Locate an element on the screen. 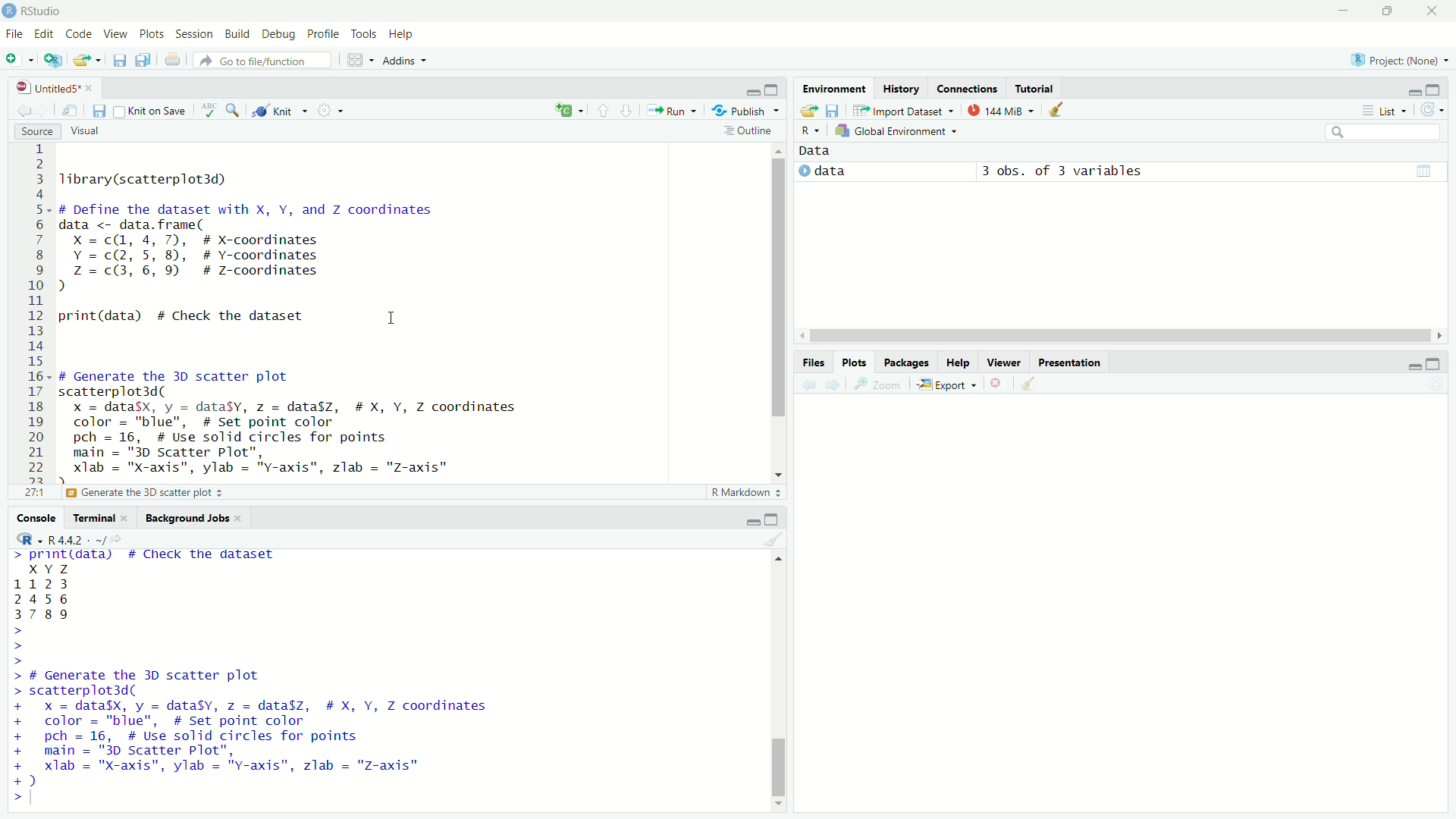  Tutorial is located at coordinates (1036, 87).